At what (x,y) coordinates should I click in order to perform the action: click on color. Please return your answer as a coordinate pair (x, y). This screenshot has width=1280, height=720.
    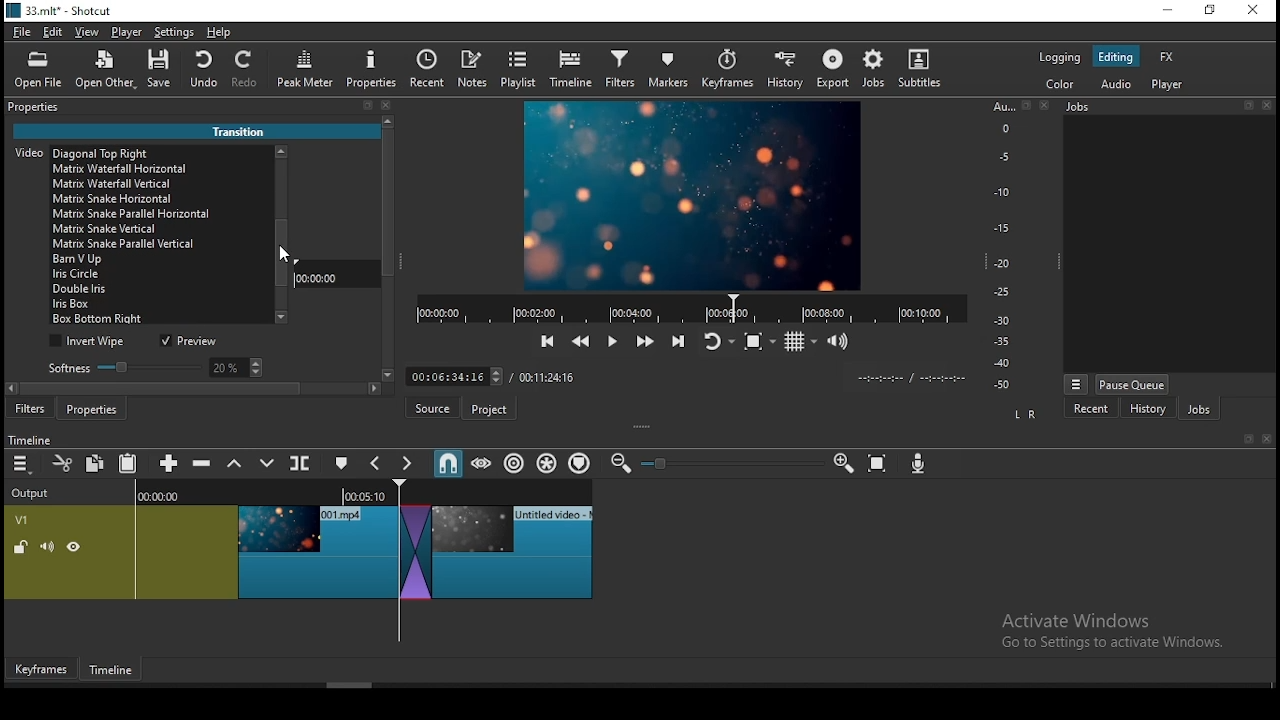
    Looking at the image, I should click on (1061, 85).